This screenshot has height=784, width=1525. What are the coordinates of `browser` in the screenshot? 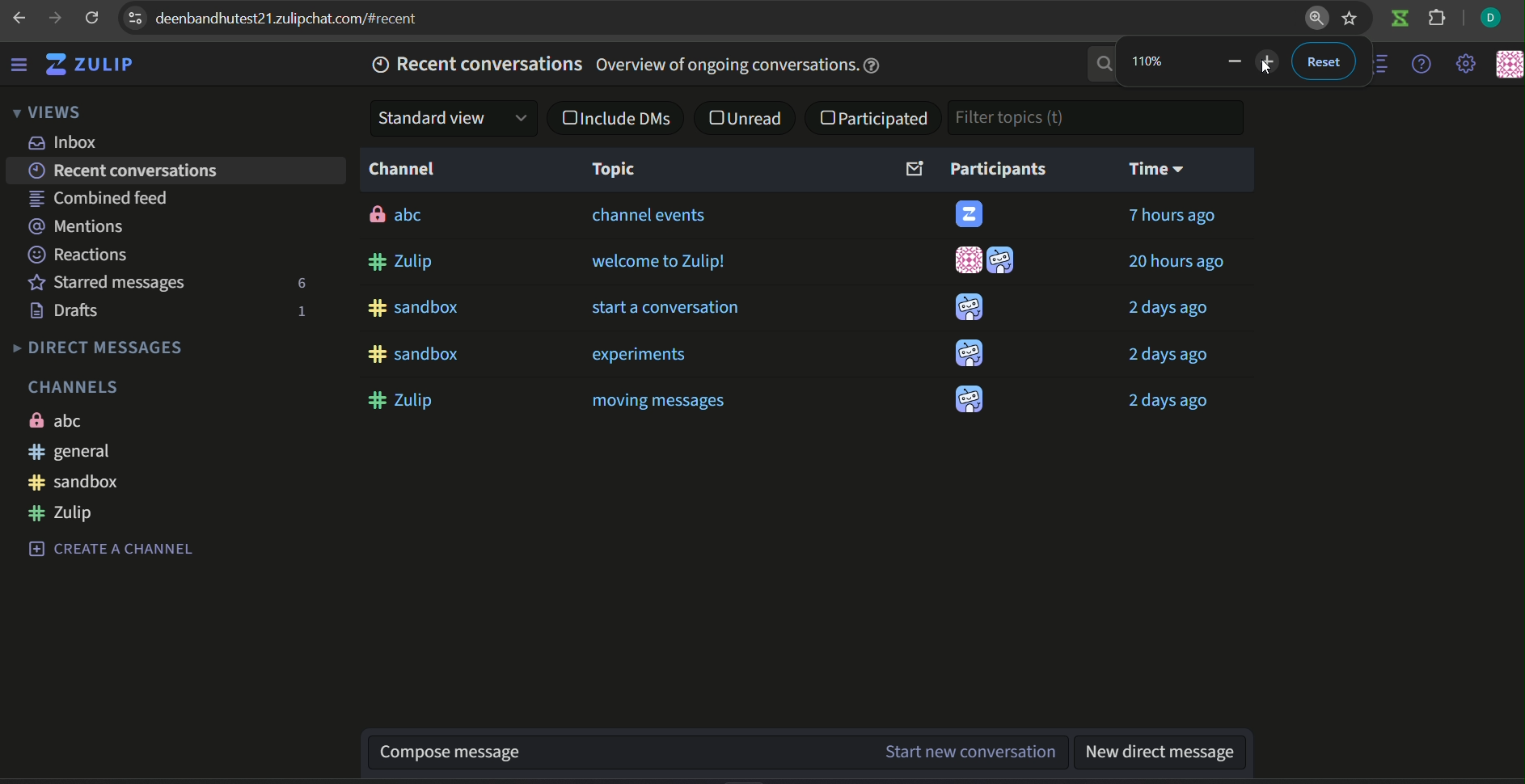 It's located at (301, 20).